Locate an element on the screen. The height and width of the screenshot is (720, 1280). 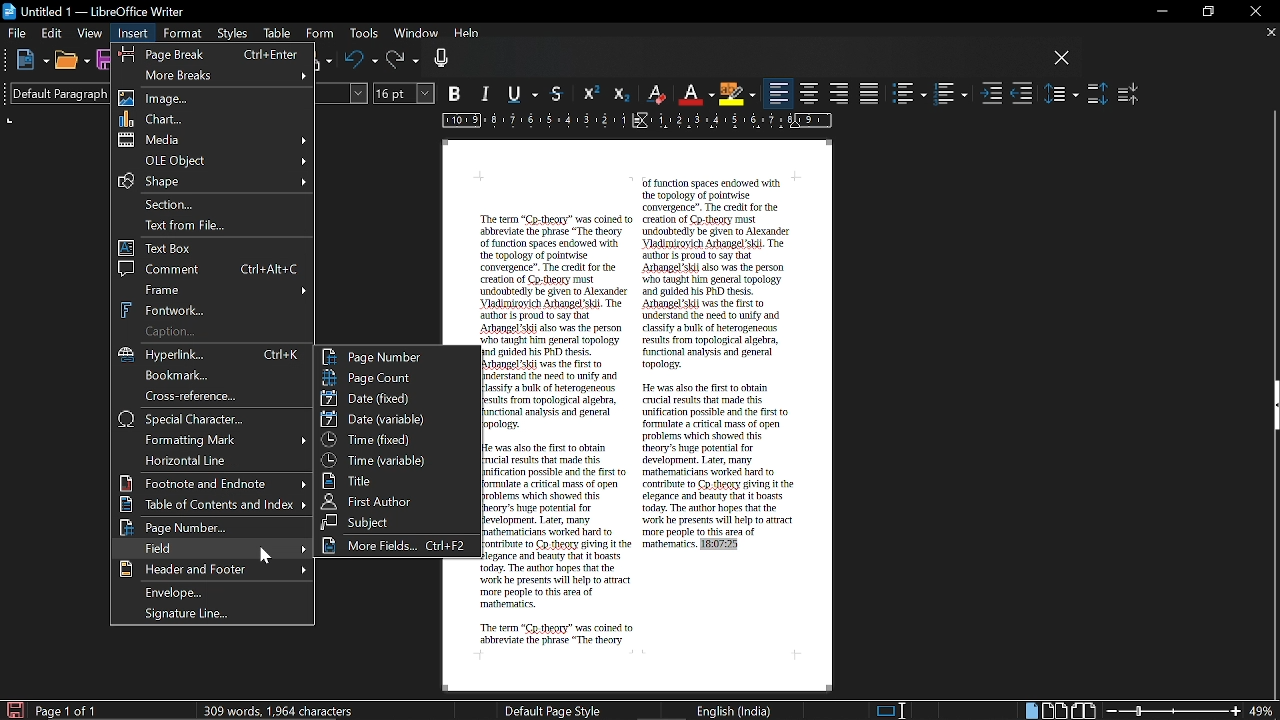
Undo is located at coordinates (361, 61).